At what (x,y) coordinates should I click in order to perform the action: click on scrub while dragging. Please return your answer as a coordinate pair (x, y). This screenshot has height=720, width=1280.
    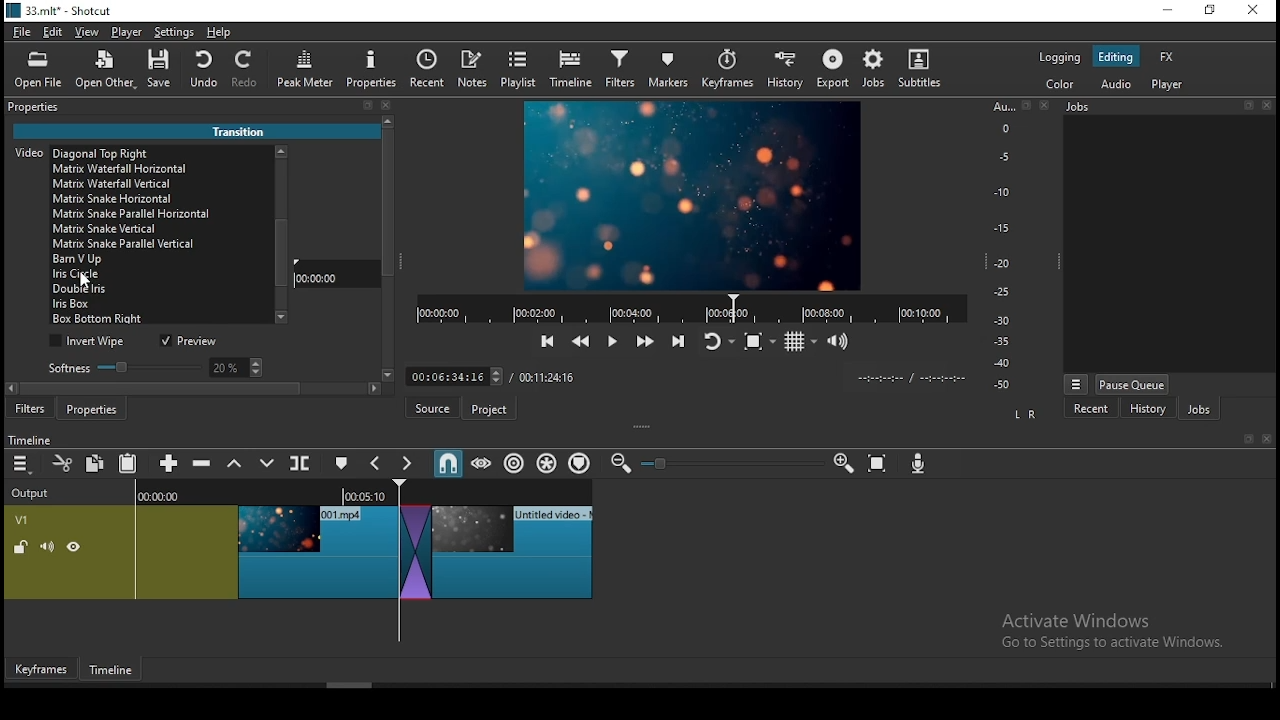
    Looking at the image, I should click on (483, 464).